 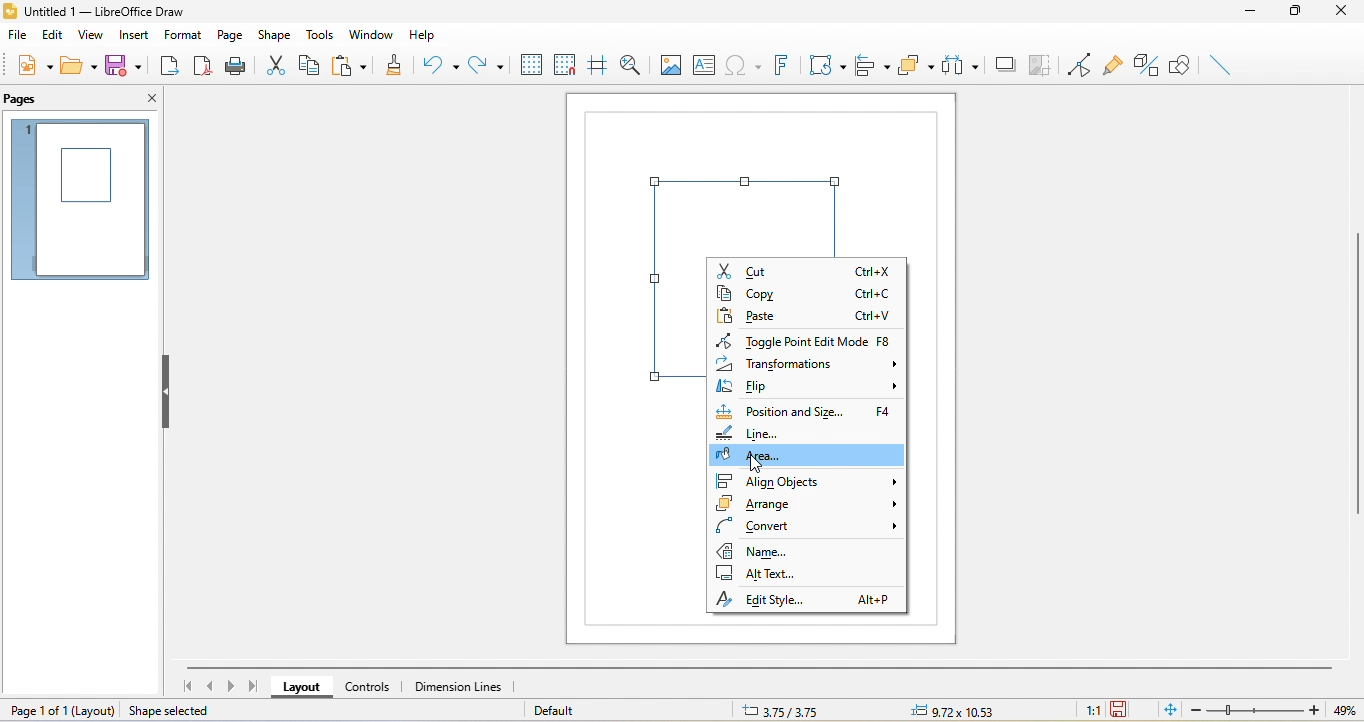 I want to click on layout, so click(x=303, y=687).